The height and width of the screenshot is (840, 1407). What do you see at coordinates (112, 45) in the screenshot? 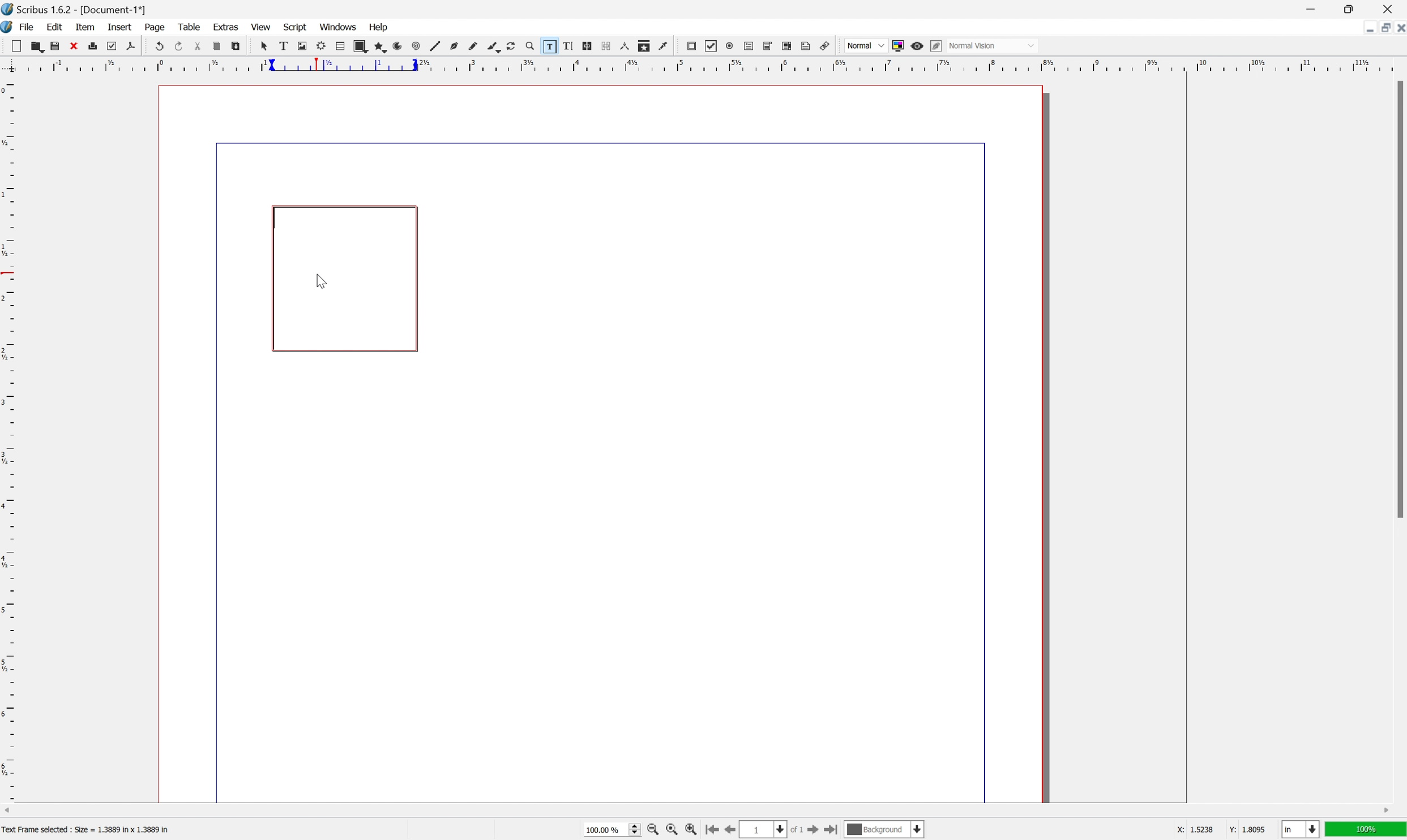
I see `preflight verifier` at bounding box center [112, 45].